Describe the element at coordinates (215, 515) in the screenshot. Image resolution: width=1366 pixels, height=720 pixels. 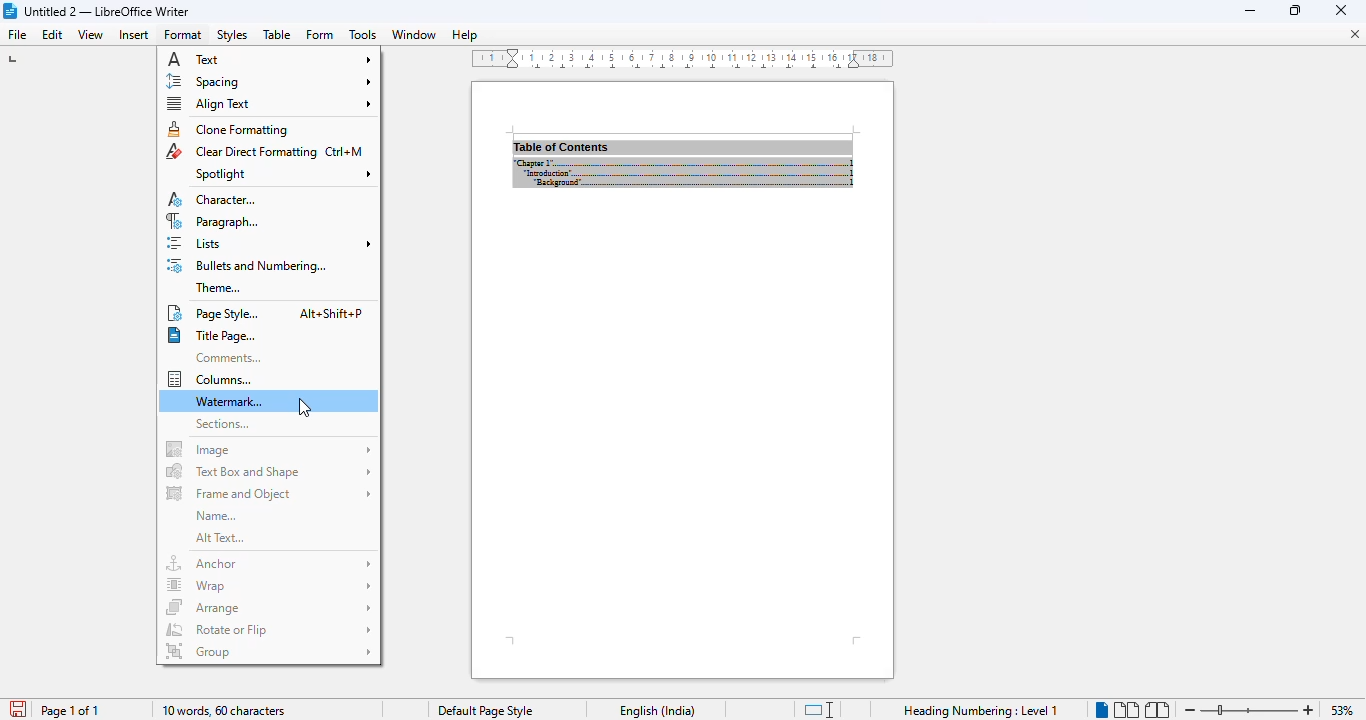
I see `name` at that location.